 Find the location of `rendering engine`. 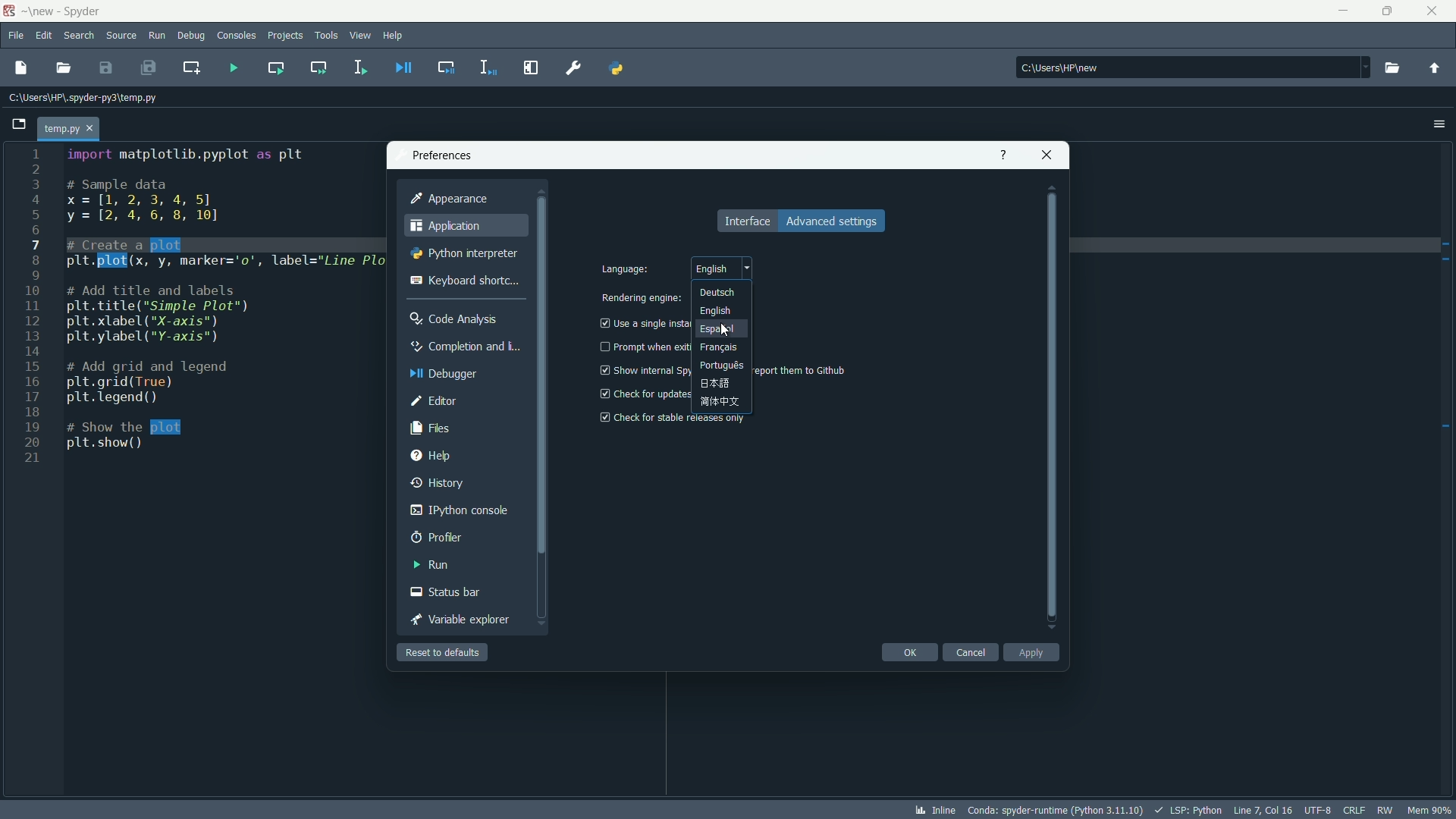

rendering engine is located at coordinates (640, 297).